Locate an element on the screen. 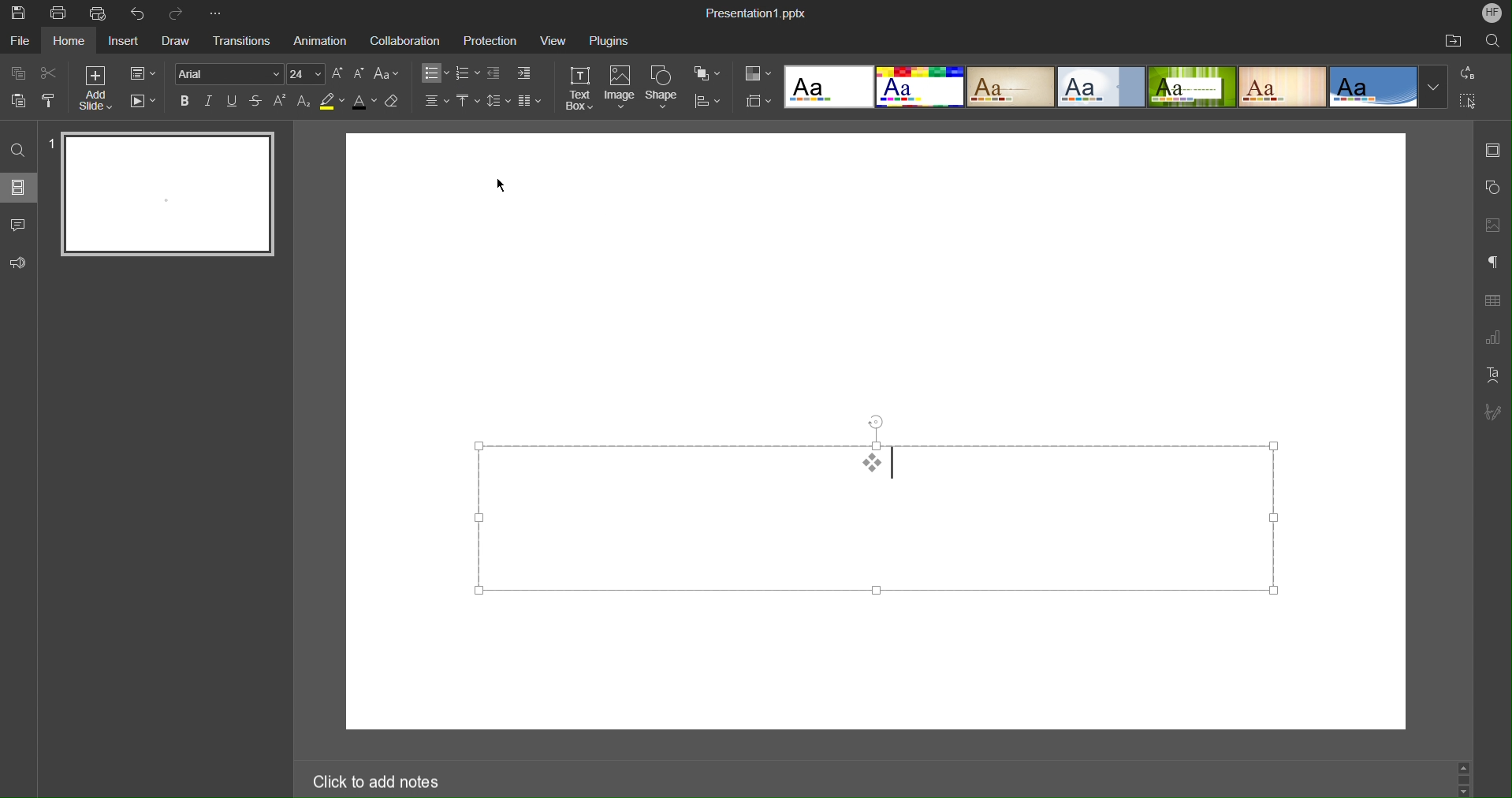 The height and width of the screenshot is (798, 1512). Alignment is located at coordinates (436, 101).